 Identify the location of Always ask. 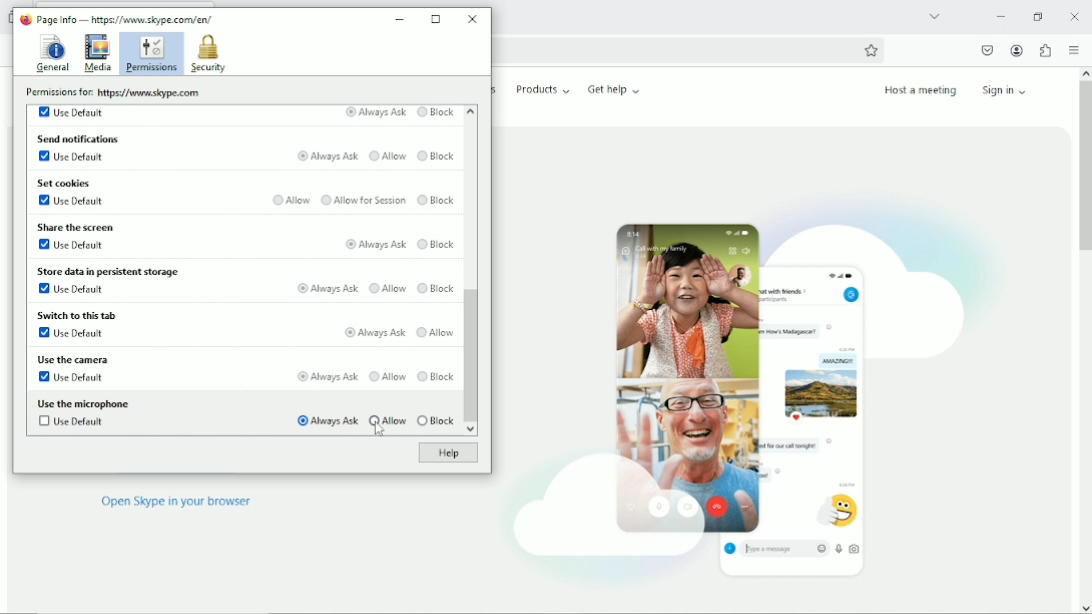
(329, 156).